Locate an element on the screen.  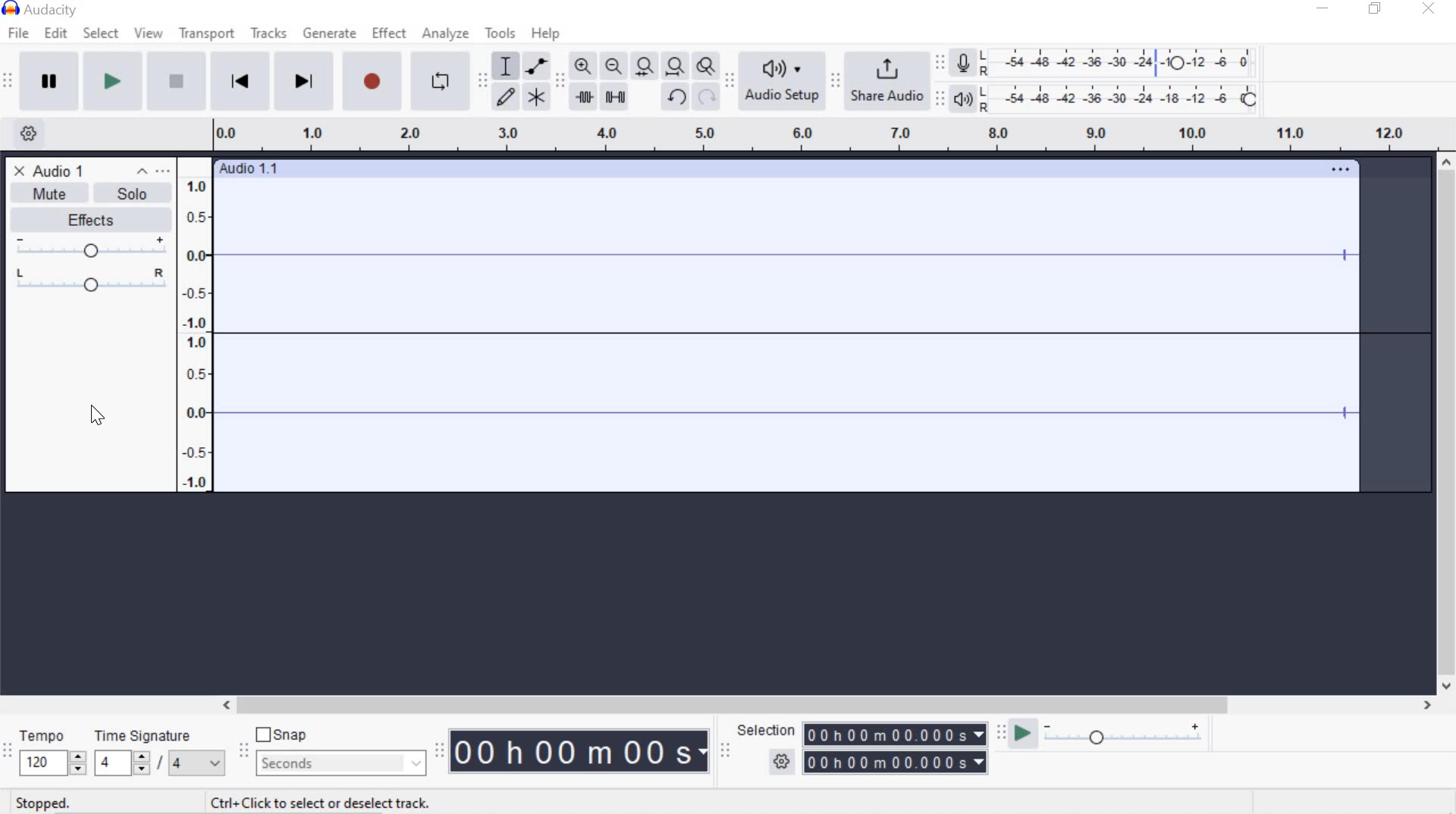
SELECTION is located at coordinates (768, 731).